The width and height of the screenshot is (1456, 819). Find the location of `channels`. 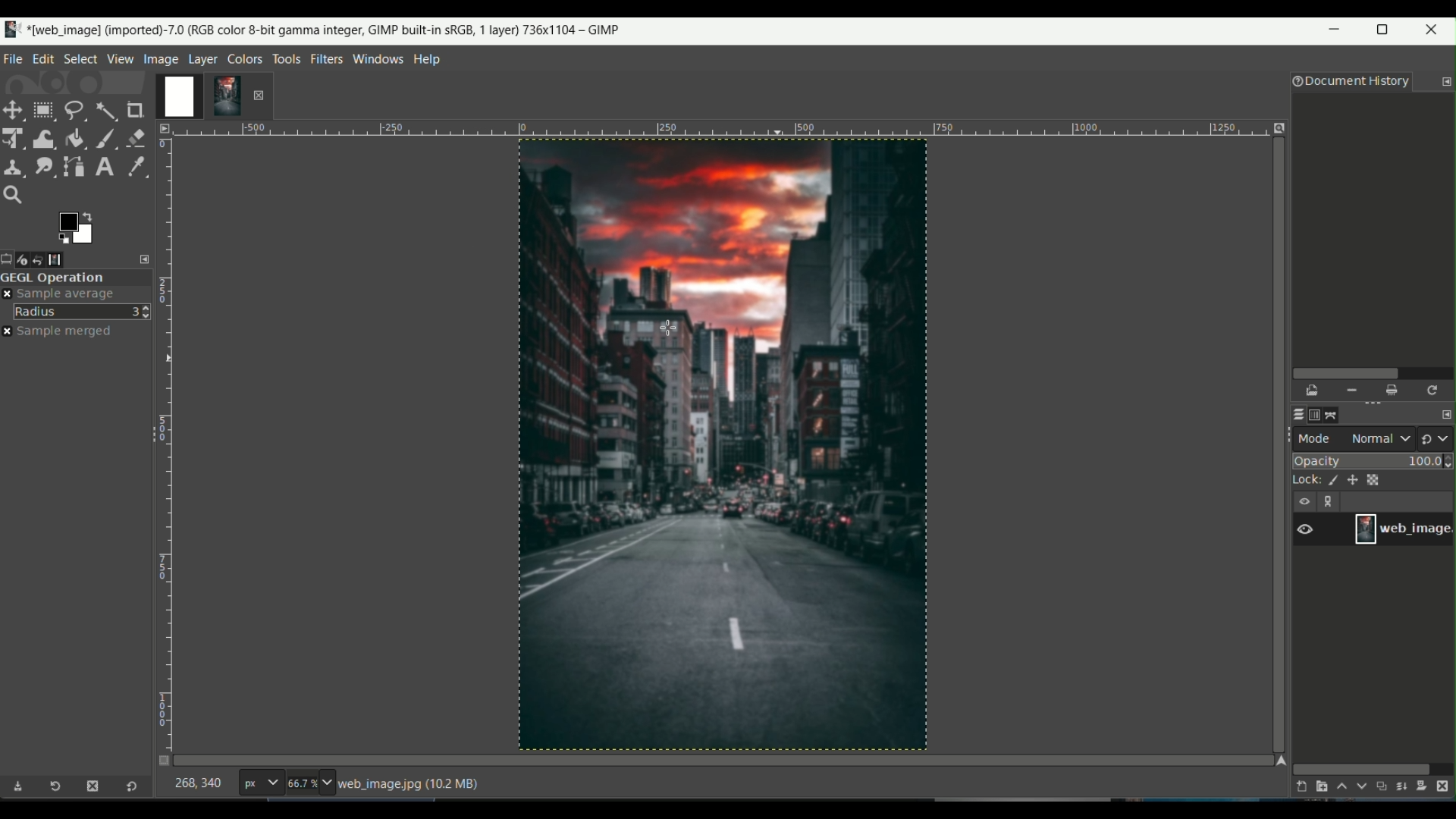

channels is located at coordinates (1316, 415).